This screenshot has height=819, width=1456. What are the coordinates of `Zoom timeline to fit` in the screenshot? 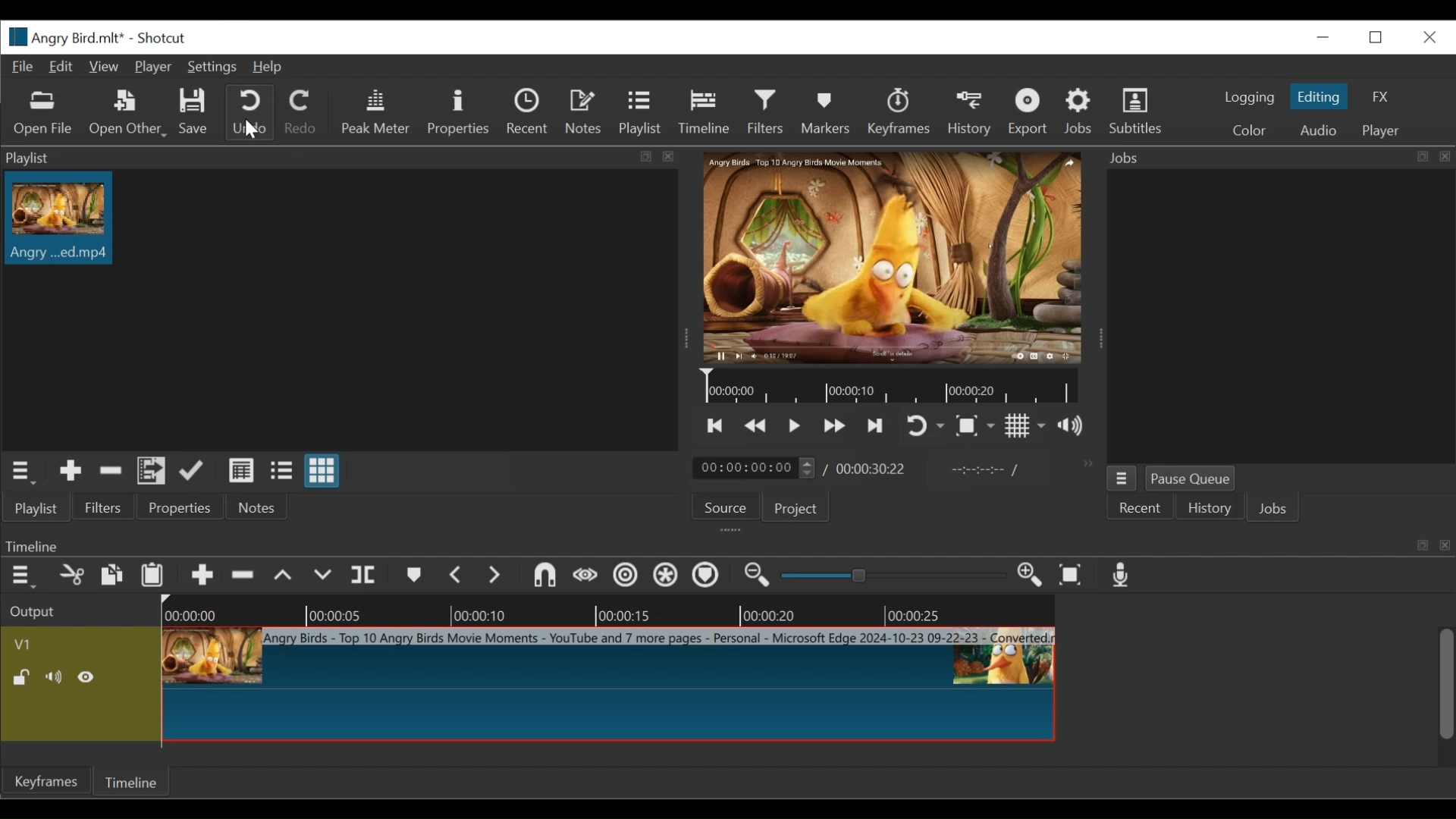 It's located at (1072, 576).